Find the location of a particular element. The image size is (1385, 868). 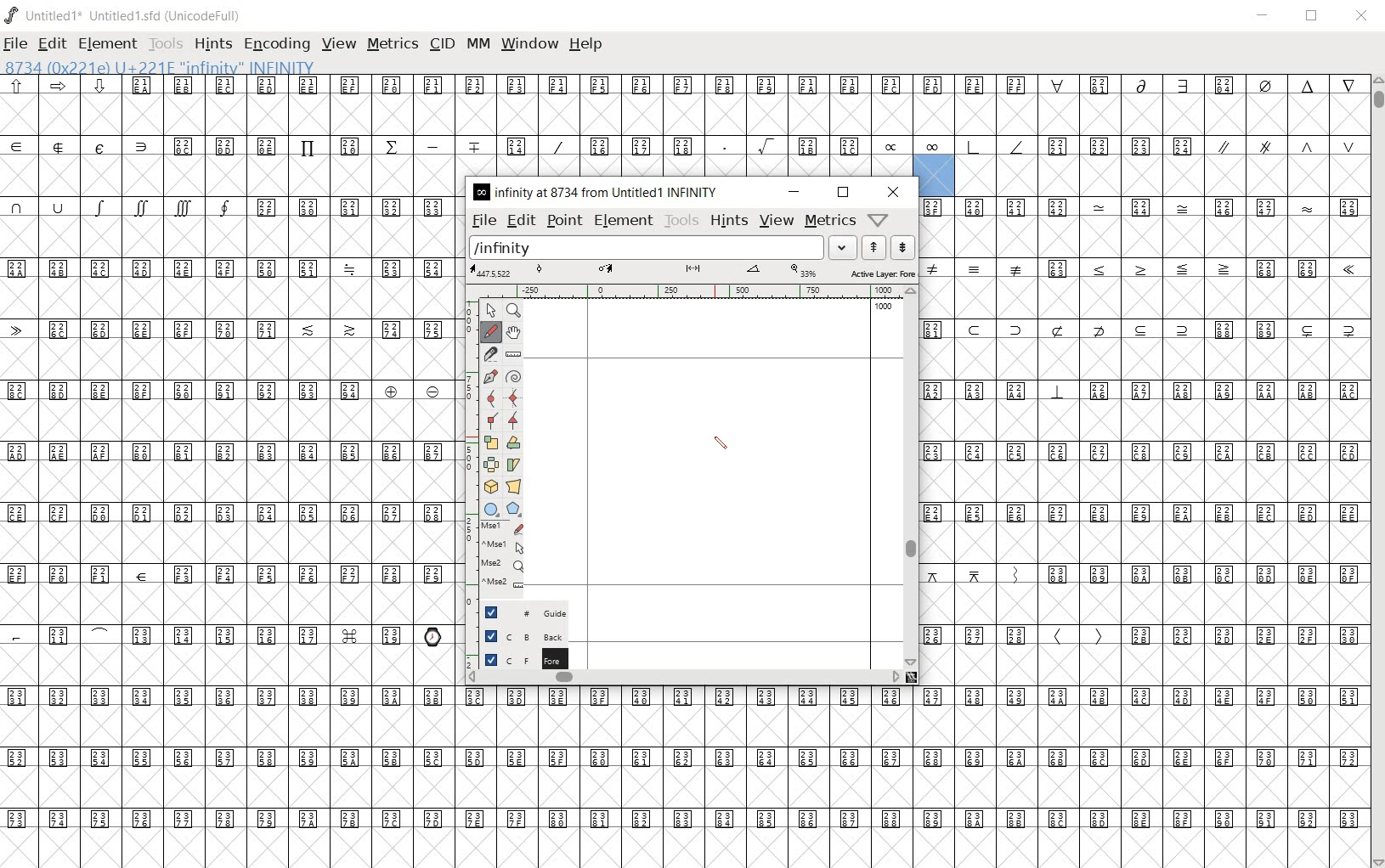

mm is located at coordinates (477, 45).